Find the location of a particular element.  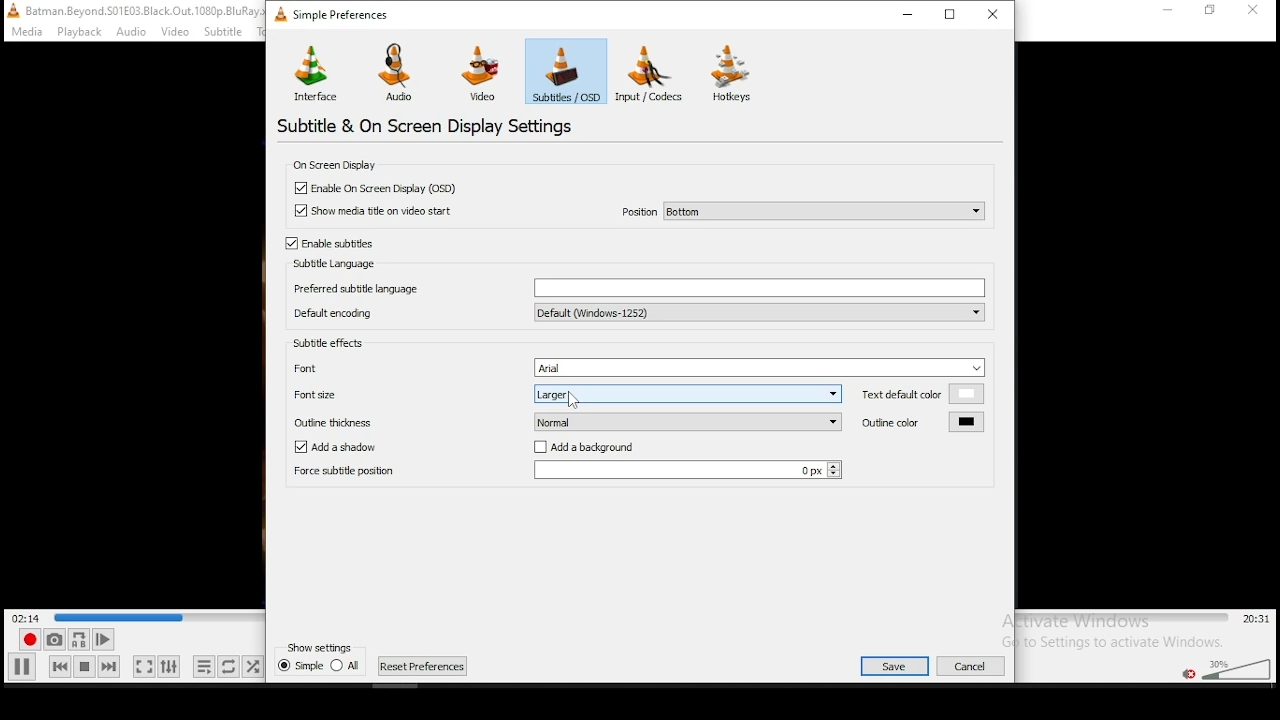

subtitles(OSD) is located at coordinates (566, 70).